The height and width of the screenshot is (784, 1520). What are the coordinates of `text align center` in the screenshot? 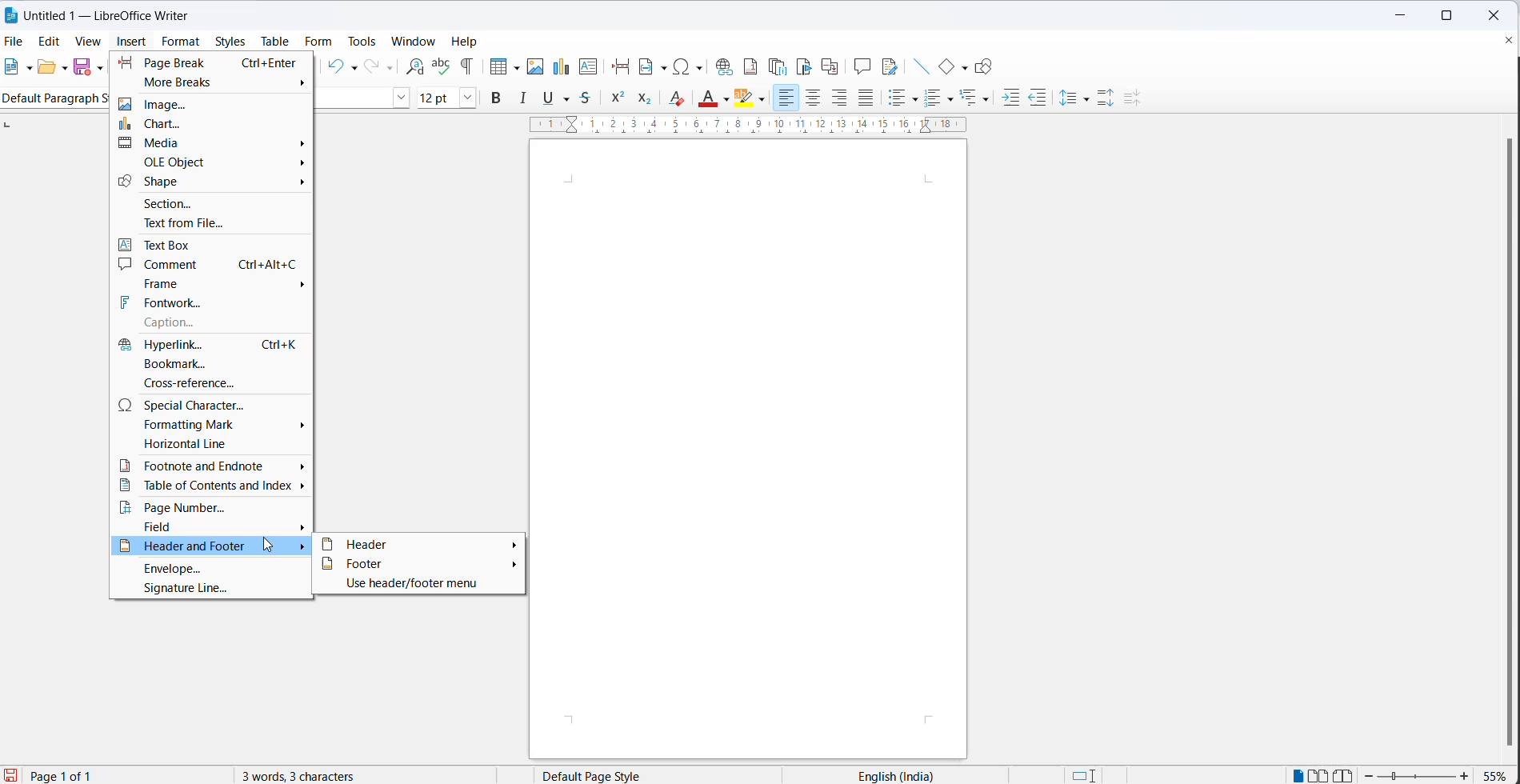 It's located at (812, 99).